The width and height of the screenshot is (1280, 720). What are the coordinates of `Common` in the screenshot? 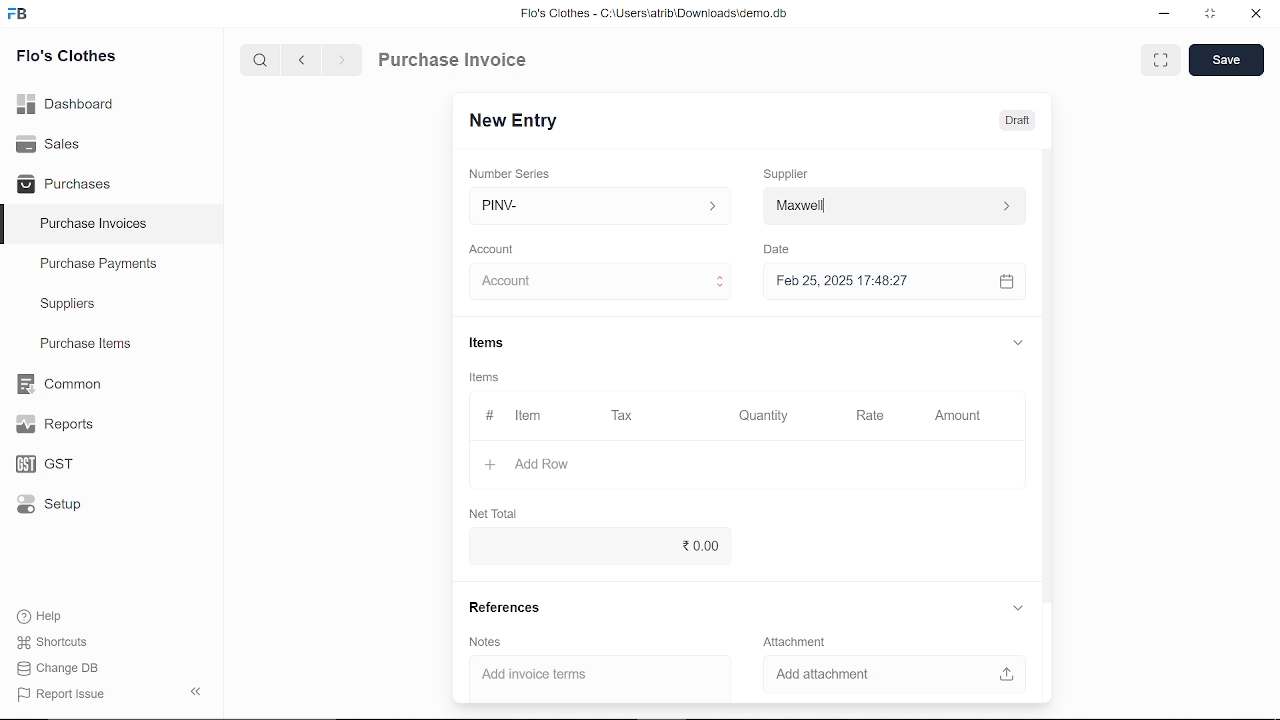 It's located at (61, 384).